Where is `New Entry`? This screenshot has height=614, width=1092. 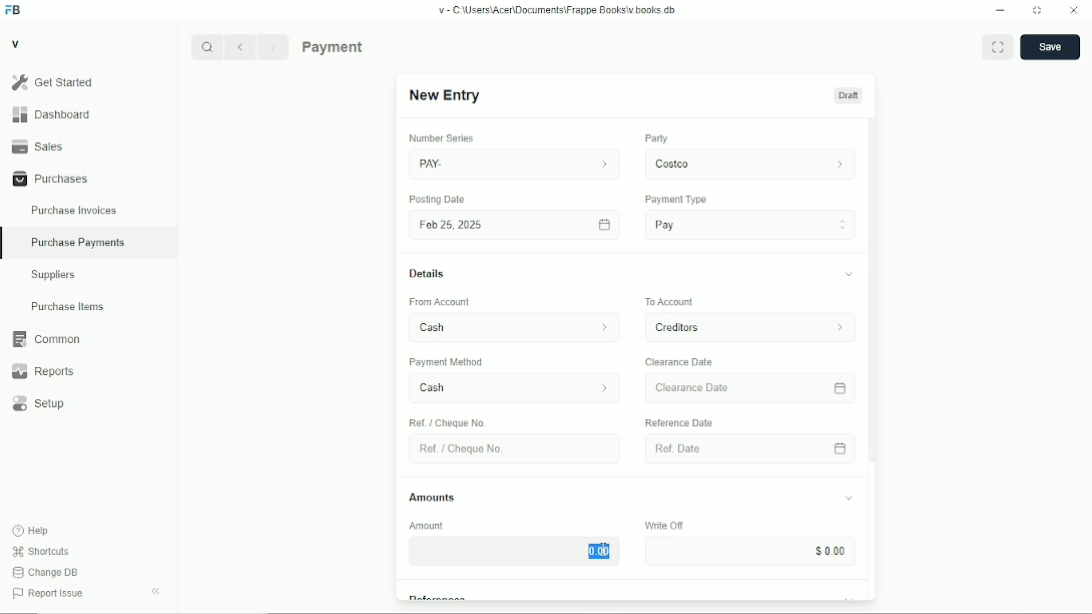 New Entry is located at coordinates (447, 95).